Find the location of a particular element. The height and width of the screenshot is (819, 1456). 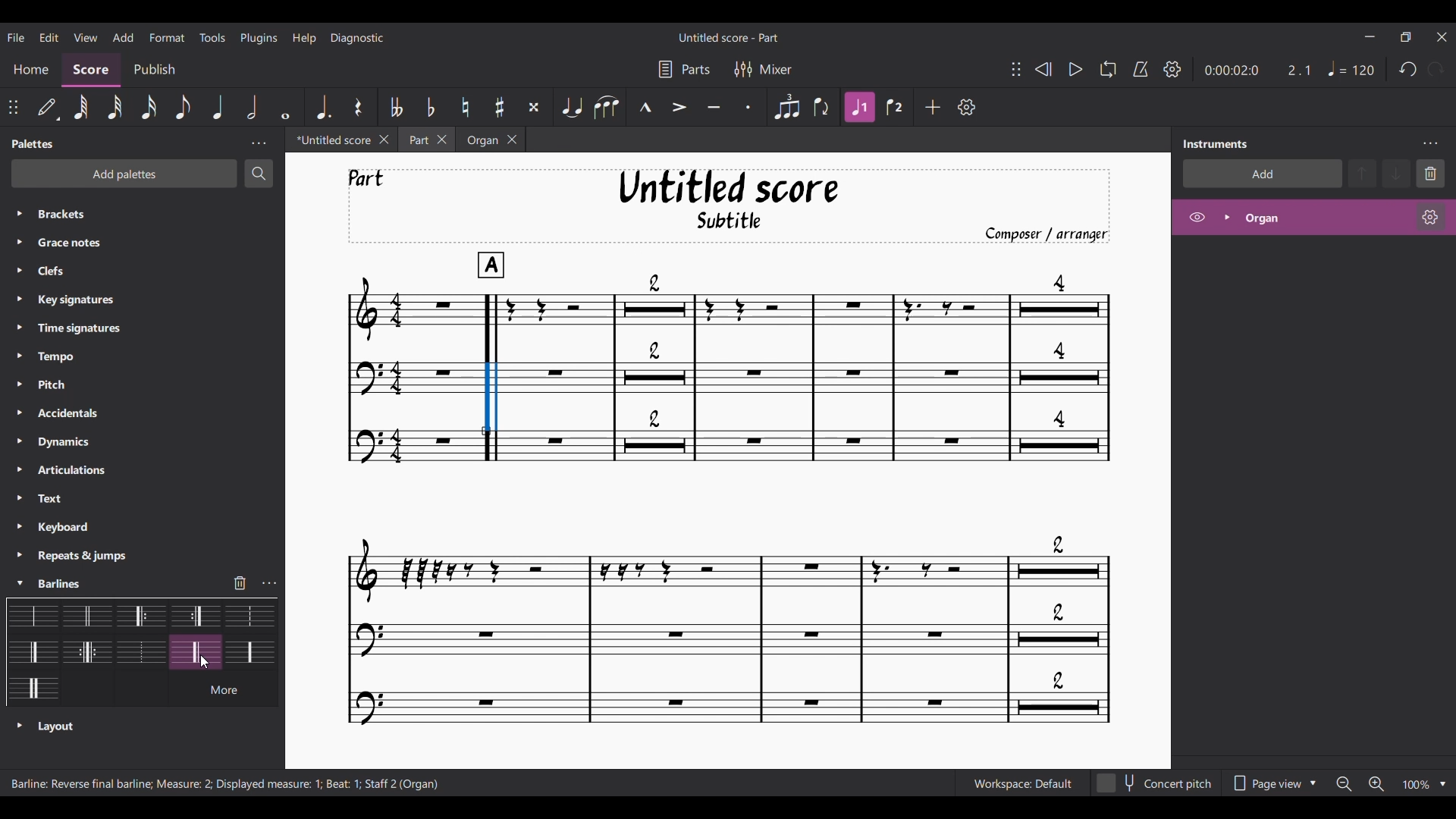

Help menu is located at coordinates (304, 38).